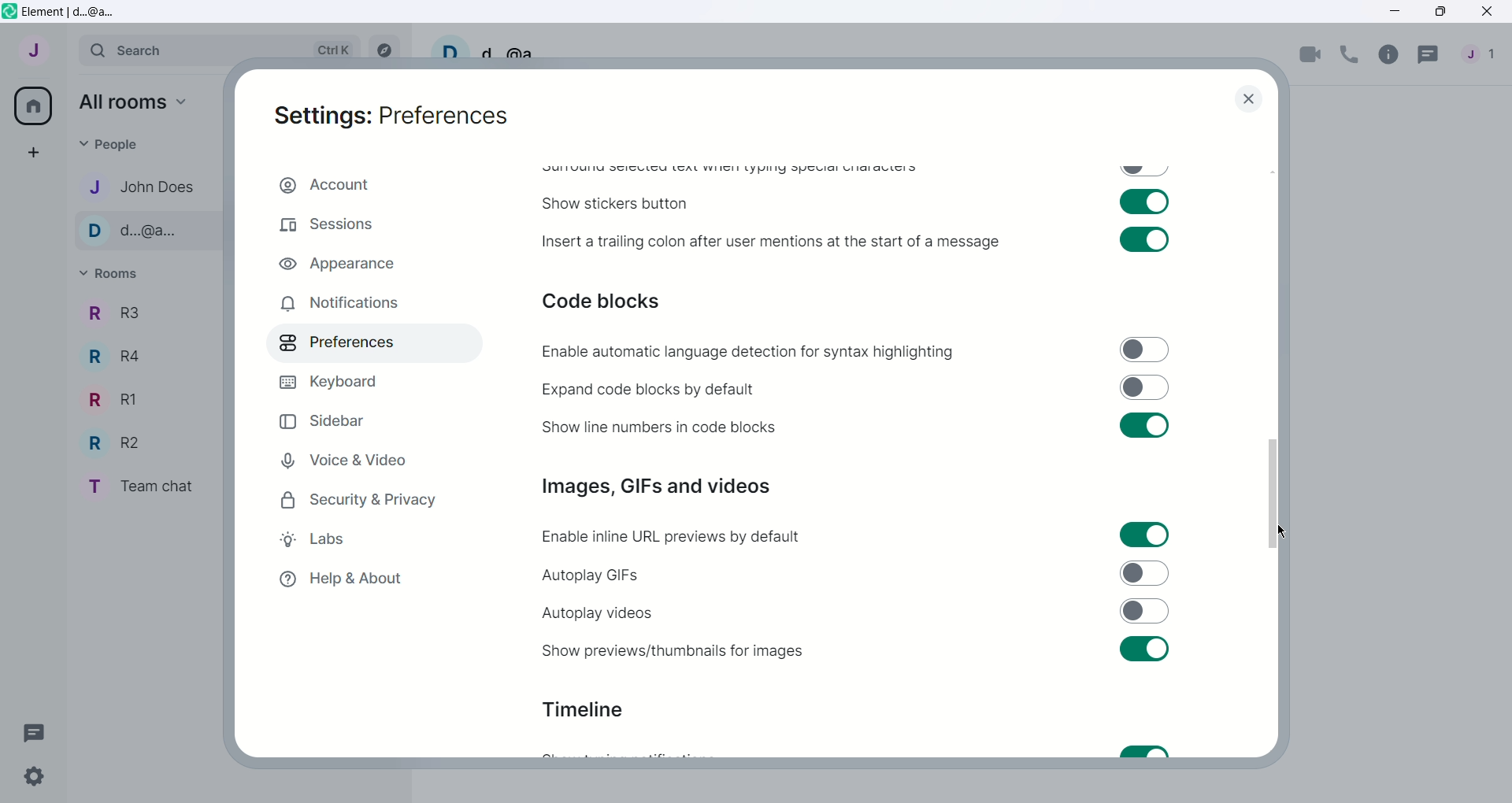 The width and height of the screenshot is (1512, 803). Describe the element at coordinates (596, 613) in the screenshot. I see `Autoplay videos` at that location.